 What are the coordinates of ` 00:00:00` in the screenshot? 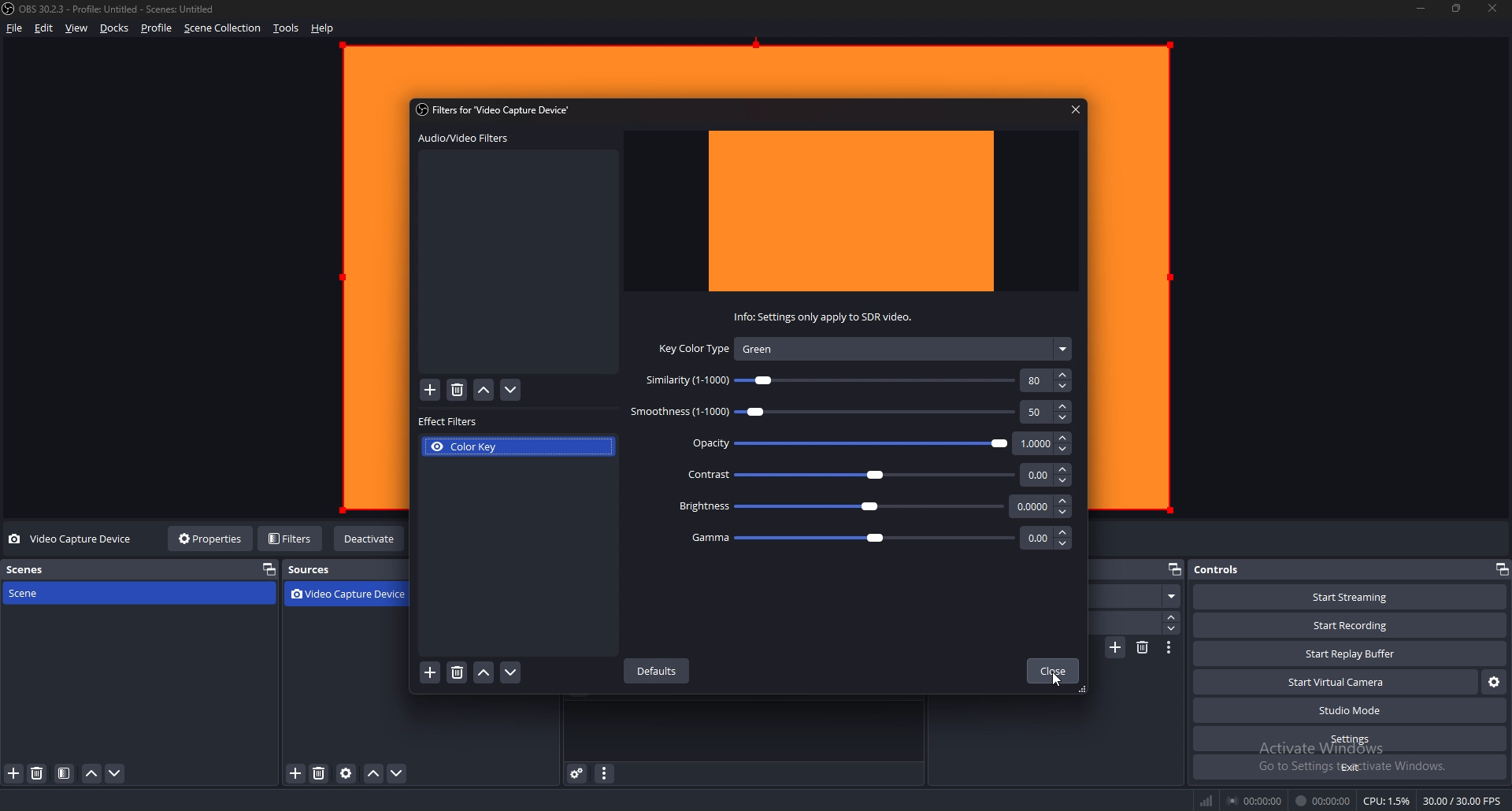 It's located at (1322, 801).